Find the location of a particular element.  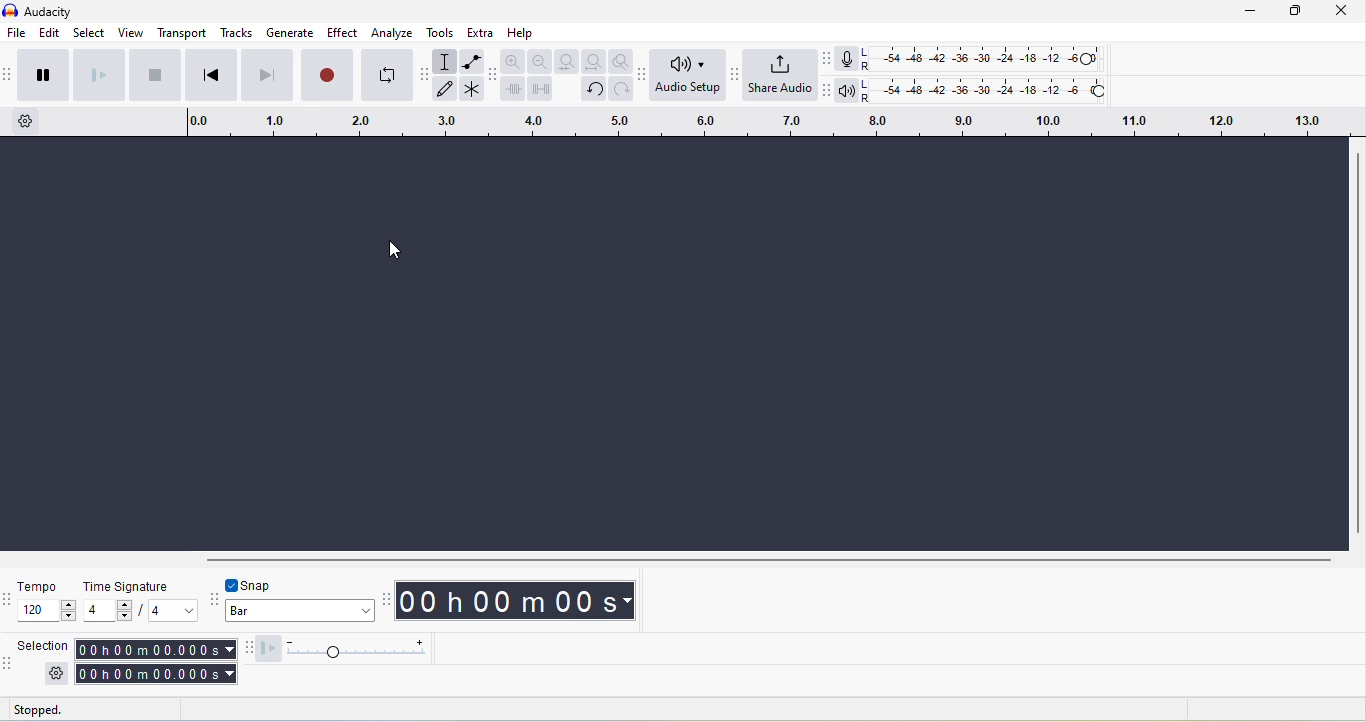

extra is located at coordinates (479, 32).